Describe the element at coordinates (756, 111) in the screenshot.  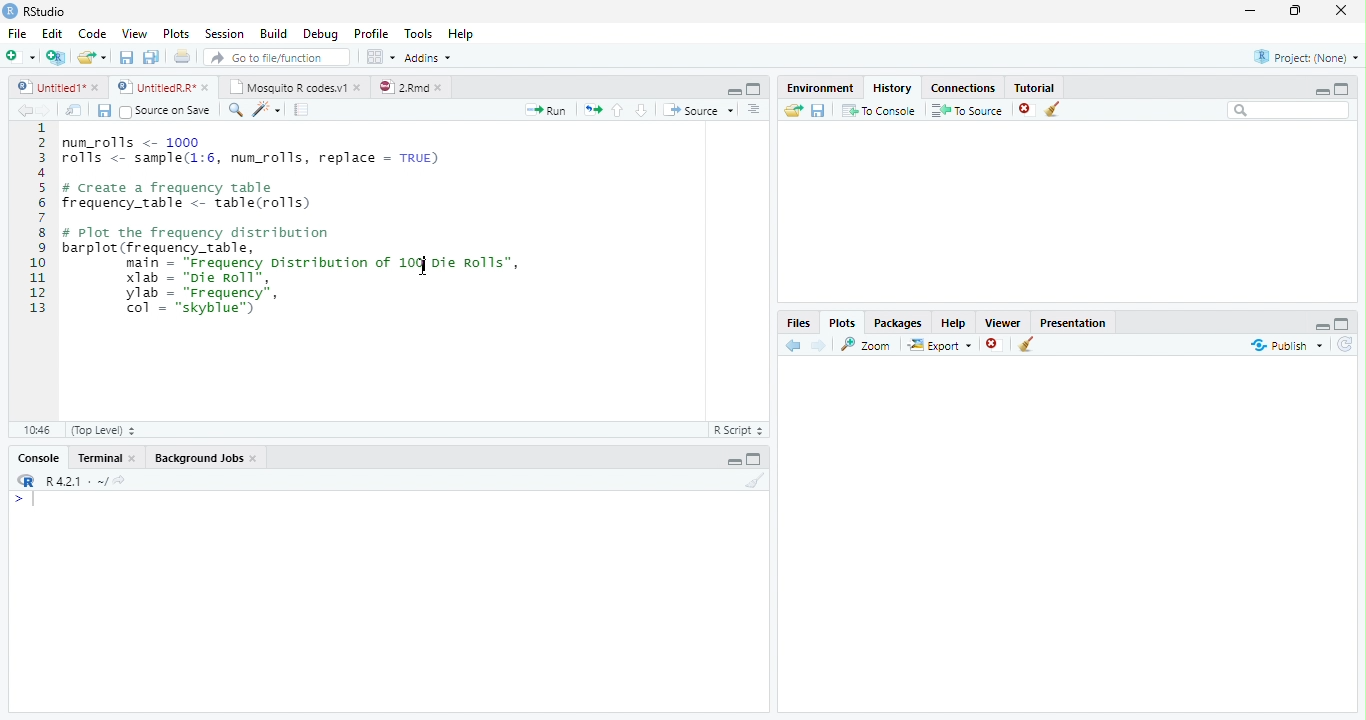
I see `List` at that location.